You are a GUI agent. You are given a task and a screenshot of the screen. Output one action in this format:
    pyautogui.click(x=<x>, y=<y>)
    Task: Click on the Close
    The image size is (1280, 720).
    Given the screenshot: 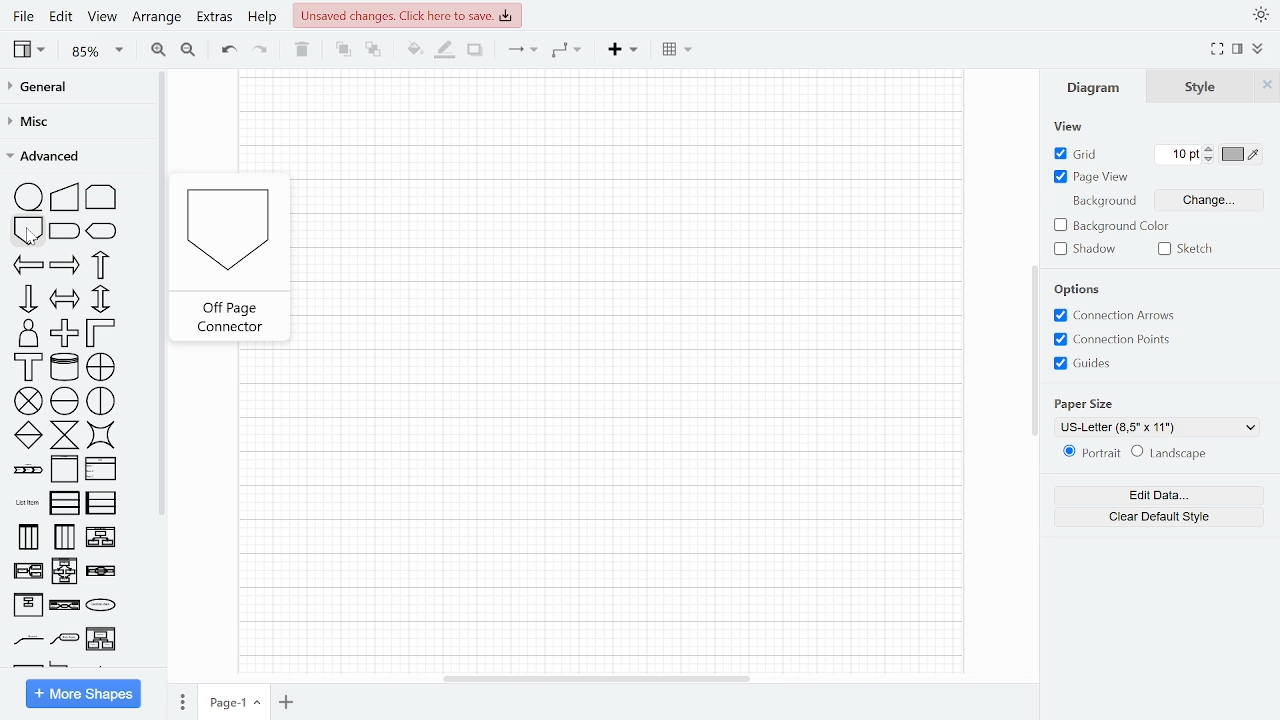 What is the action you would take?
    pyautogui.click(x=1269, y=88)
    